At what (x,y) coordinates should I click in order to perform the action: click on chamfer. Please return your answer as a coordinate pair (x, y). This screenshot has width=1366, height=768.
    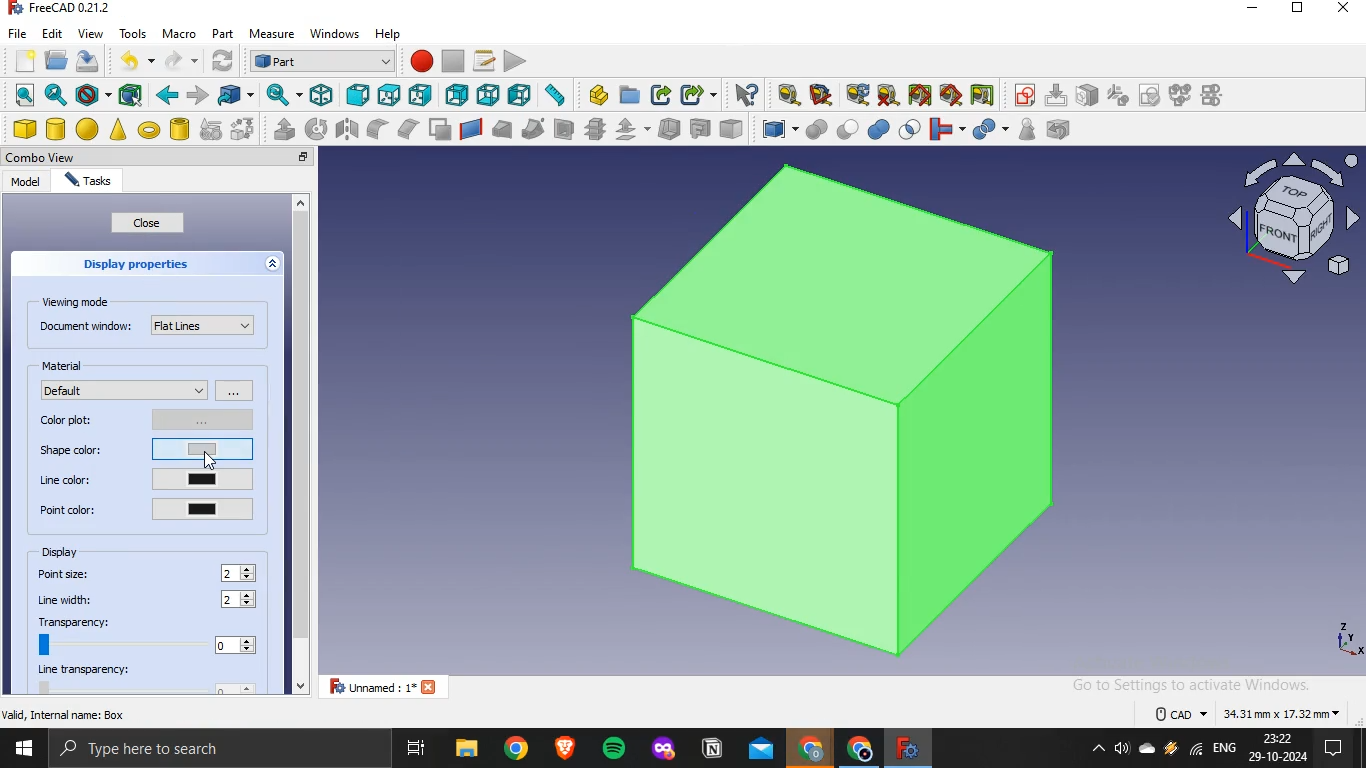
    Looking at the image, I should click on (407, 128).